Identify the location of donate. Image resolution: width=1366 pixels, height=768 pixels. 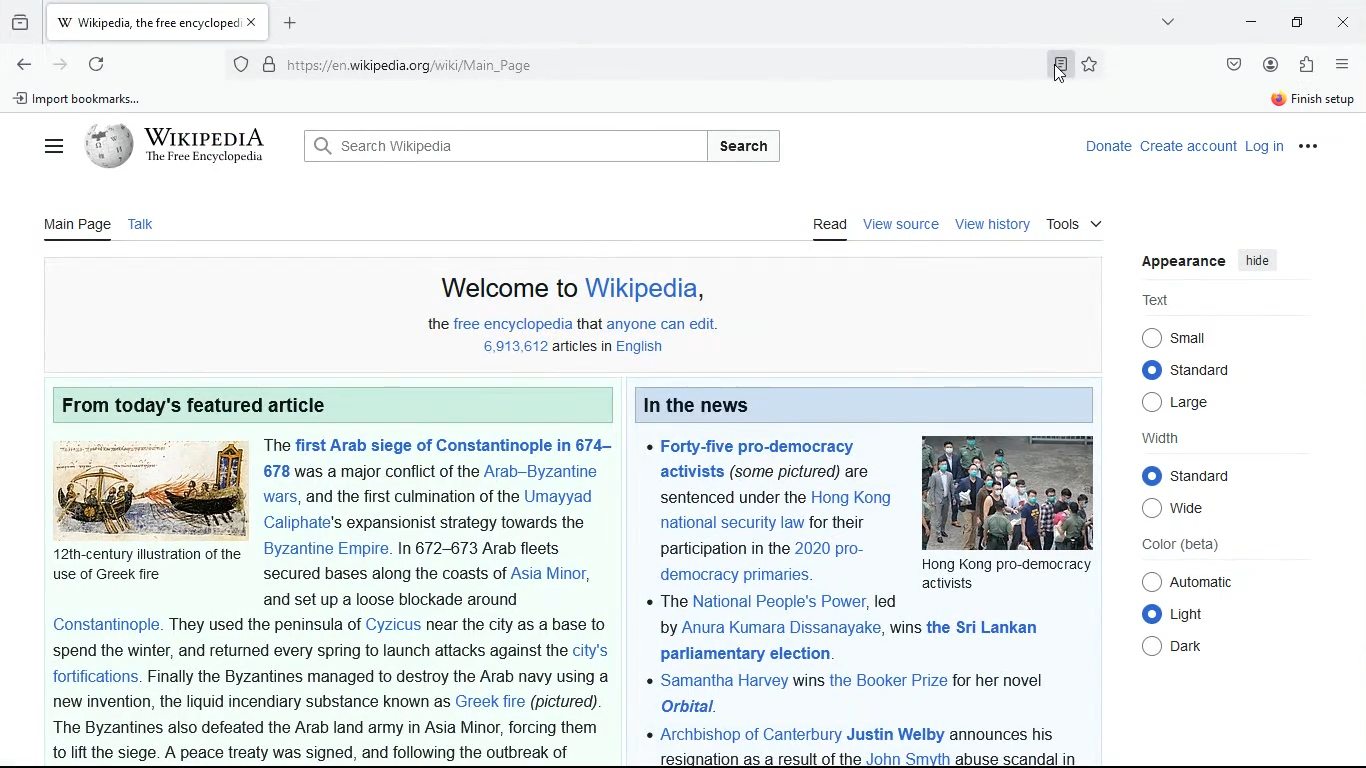
(1104, 145).